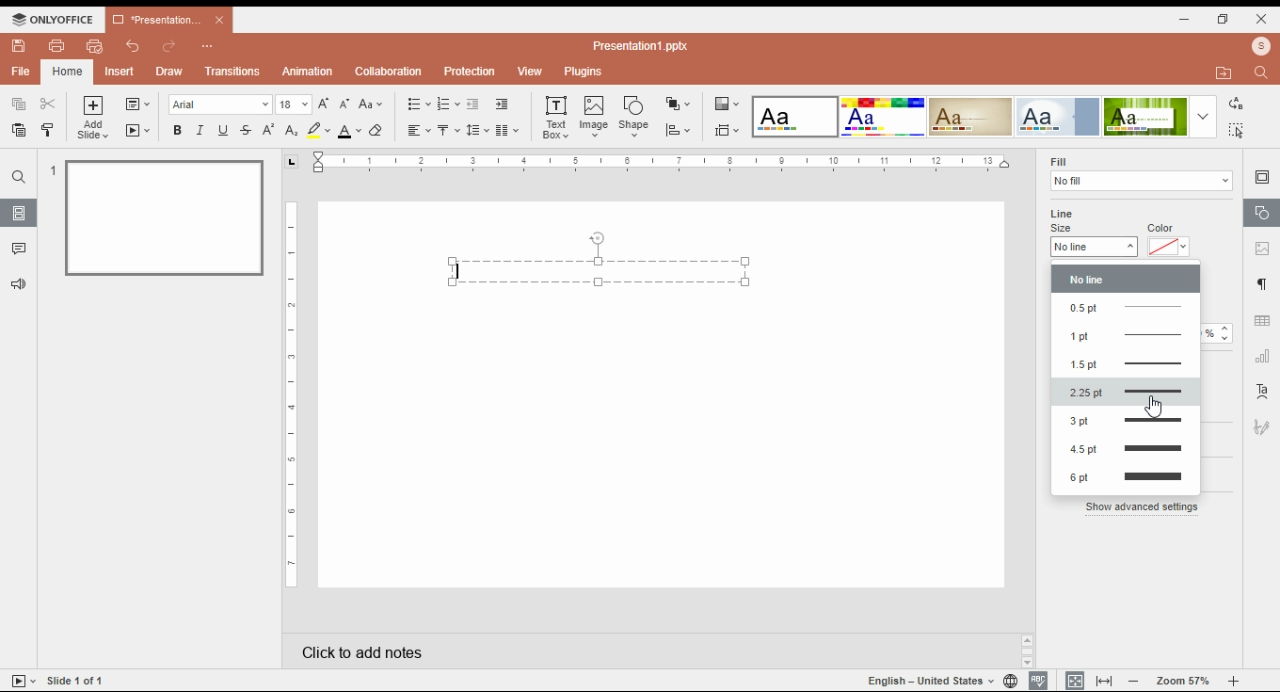 Image resolution: width=1280 pixels, height=692 pixels. I want to click on scroll up, so click(1028, 641).